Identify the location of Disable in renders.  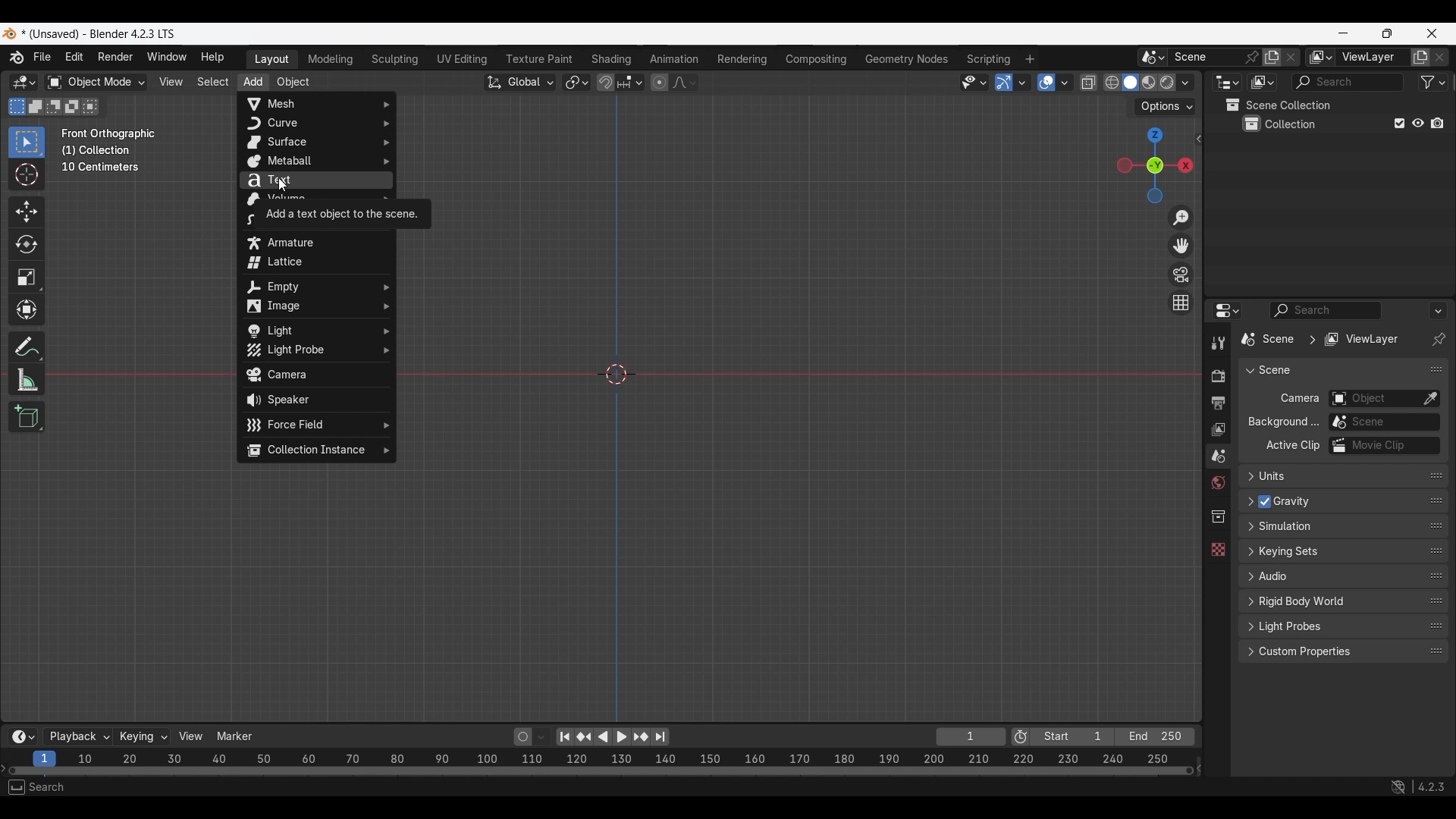
(1437, 123).